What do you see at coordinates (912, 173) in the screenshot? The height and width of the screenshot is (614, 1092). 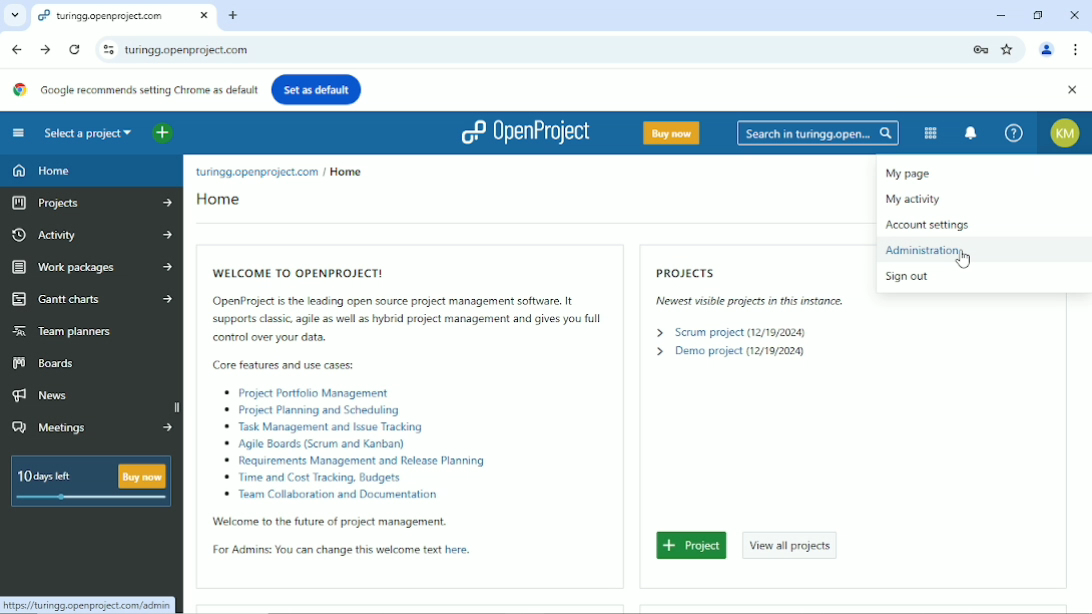 I see `My page` at bounding box center [912, 173].